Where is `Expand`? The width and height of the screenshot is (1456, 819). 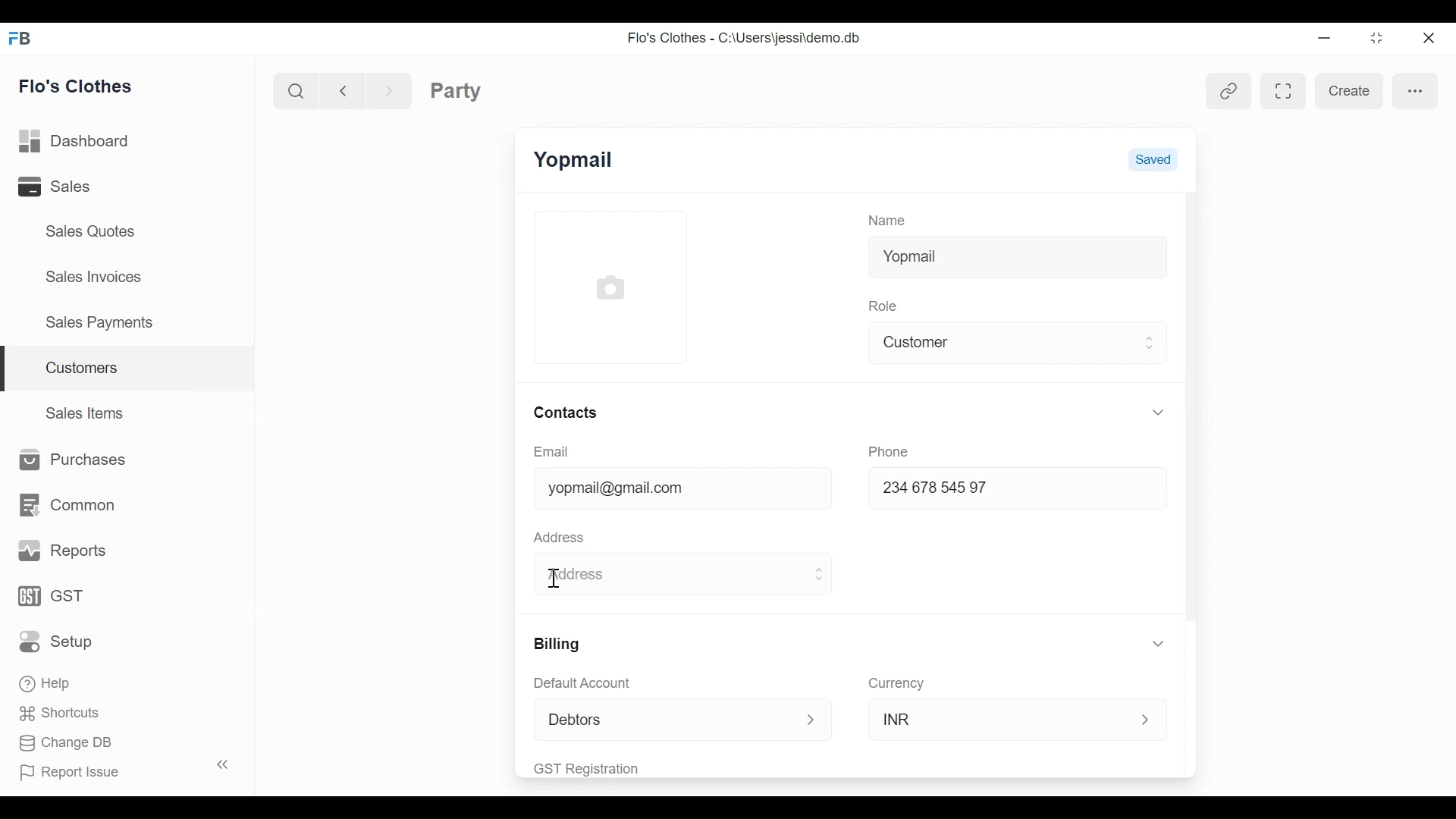 Expand is located at coordinates (812, 718).